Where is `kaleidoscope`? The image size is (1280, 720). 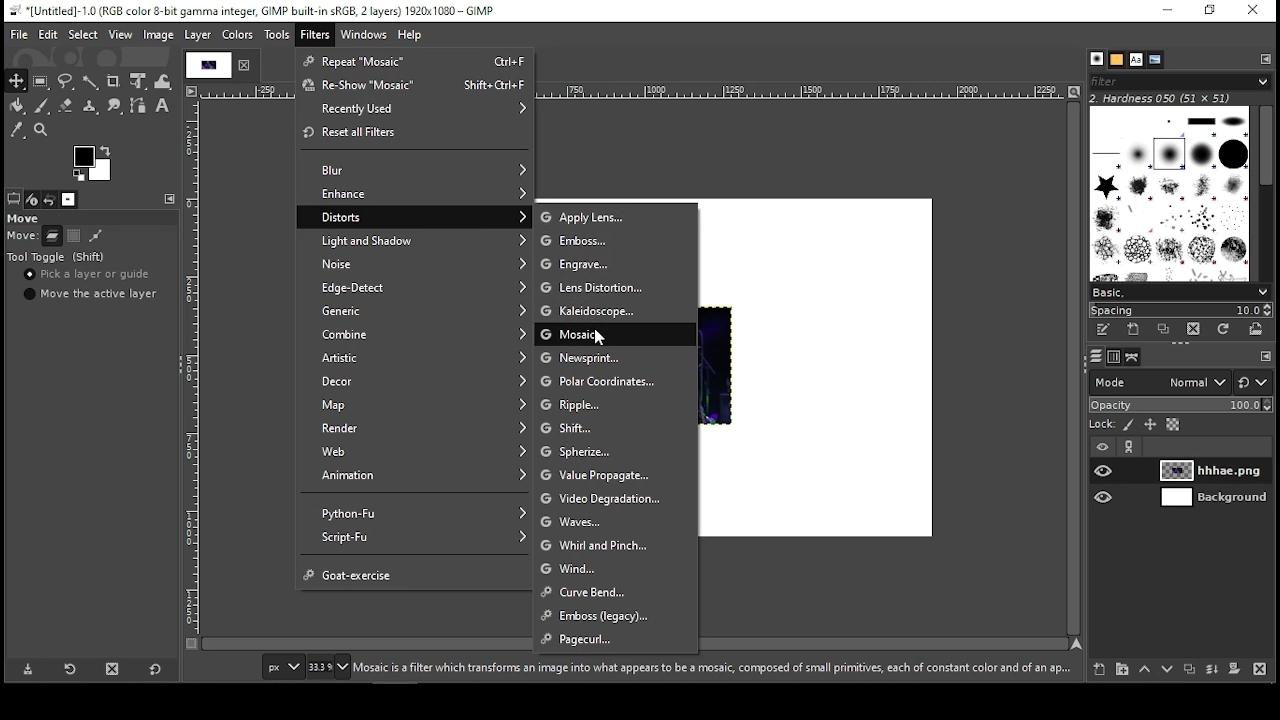 kaleidoscope is located at coordinates (614, 312).